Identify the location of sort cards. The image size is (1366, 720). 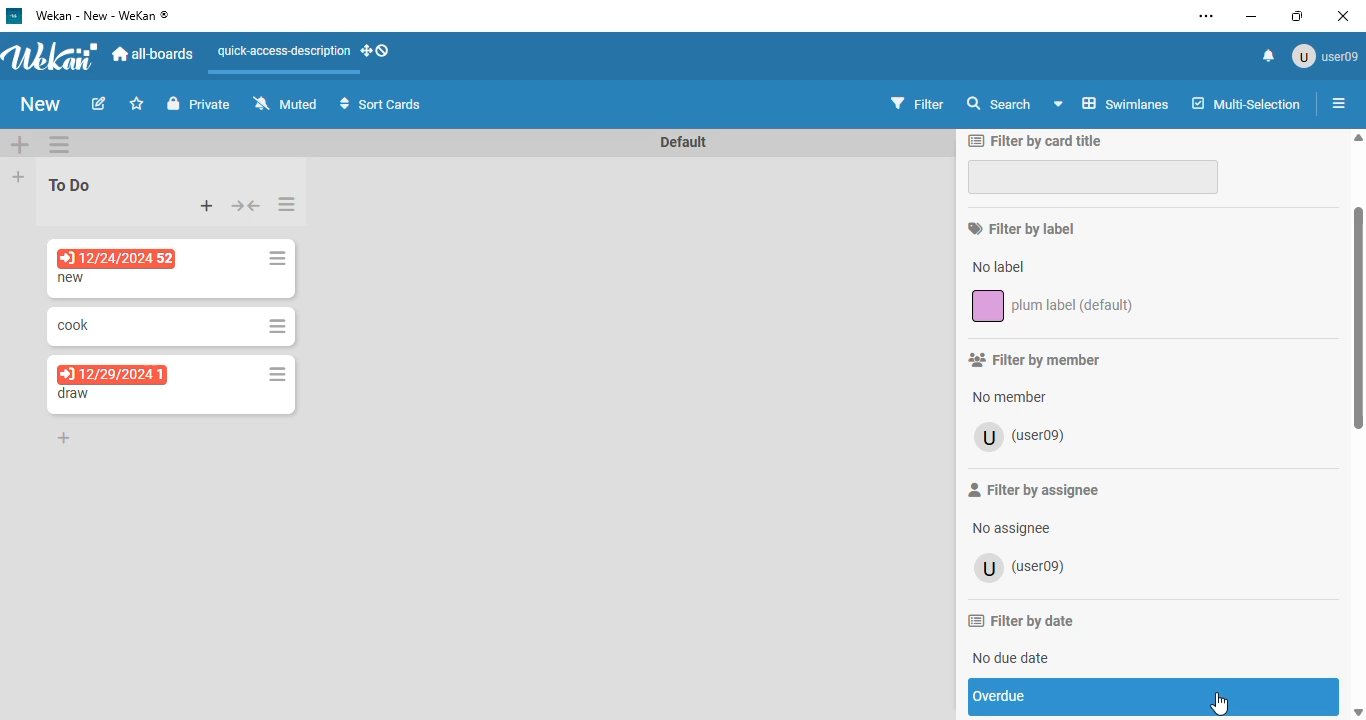
(380, 103).